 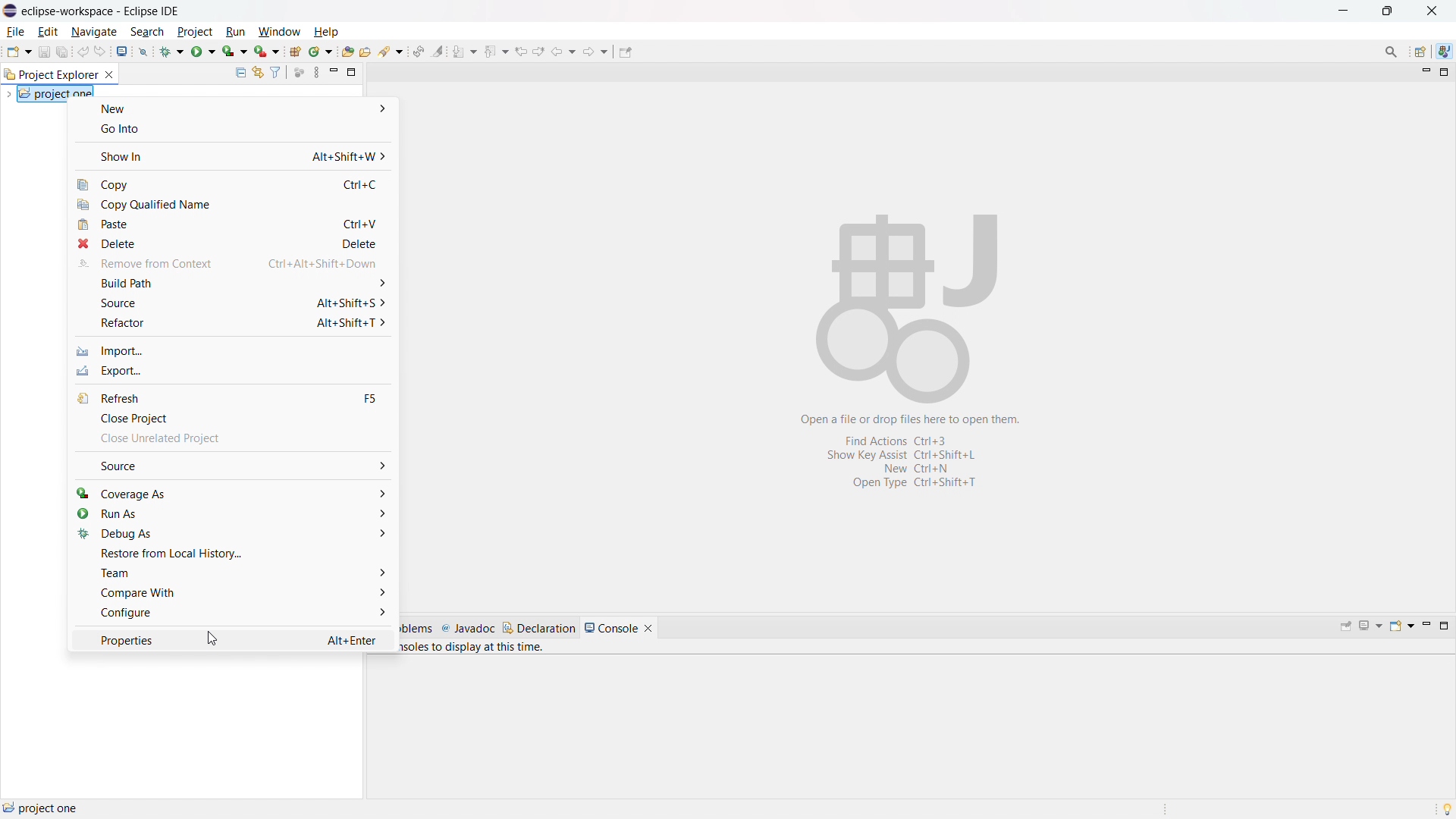 What do you see at coordinates (300, 73) in the screenshot?
I see `focus on active task ` at bounding box center [300, 73].